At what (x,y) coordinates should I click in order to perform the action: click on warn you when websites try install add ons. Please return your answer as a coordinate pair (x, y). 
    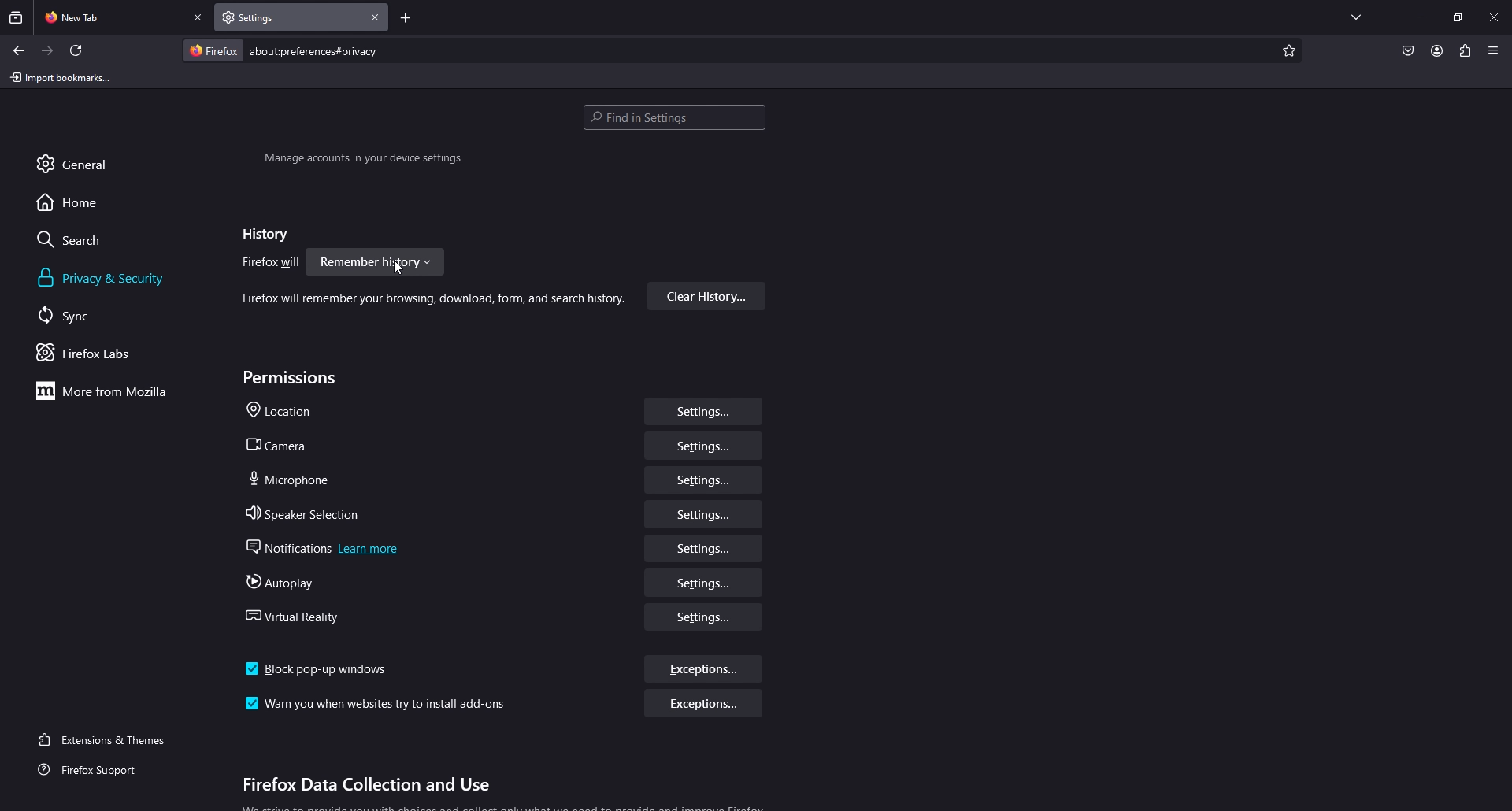
    Looking at the image, I should click on (380, 705).